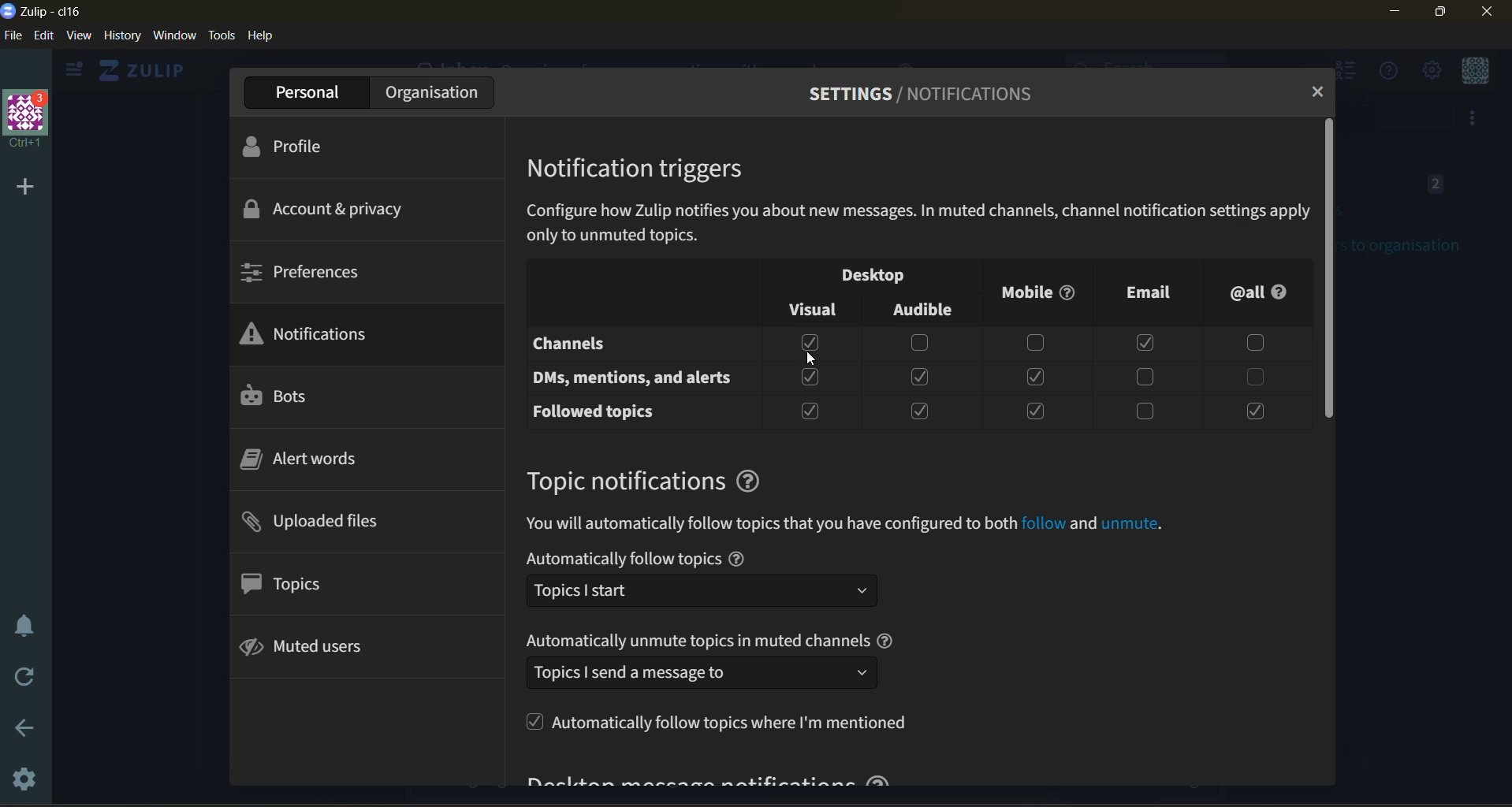 This screenshot has width=1512, height=807. What do you see at coordinates (749, 482) in the screenshot?
I see `help` at bounding box center [749, 482].